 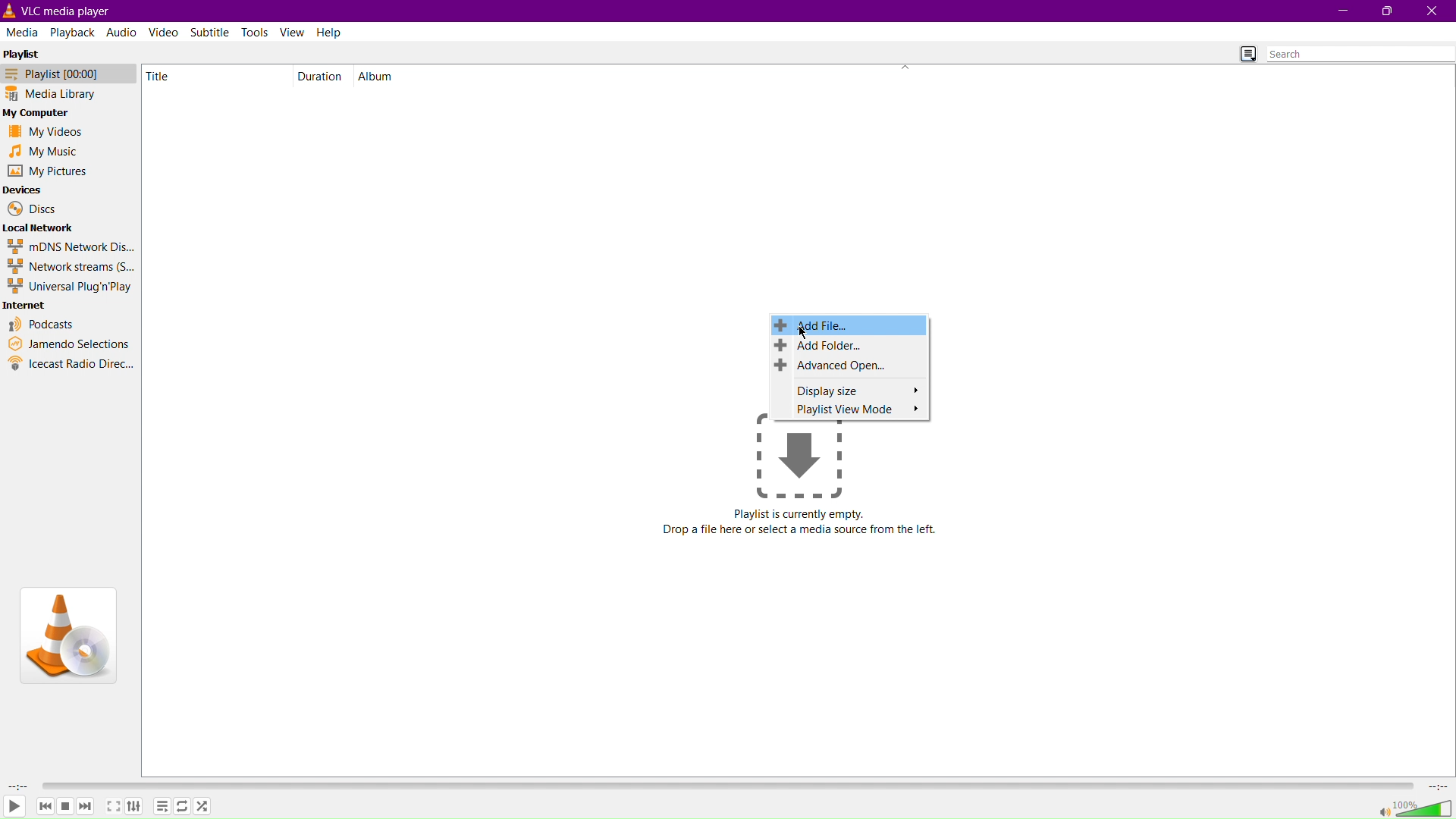 I want to click on Add File, so click(x=850, y=325).